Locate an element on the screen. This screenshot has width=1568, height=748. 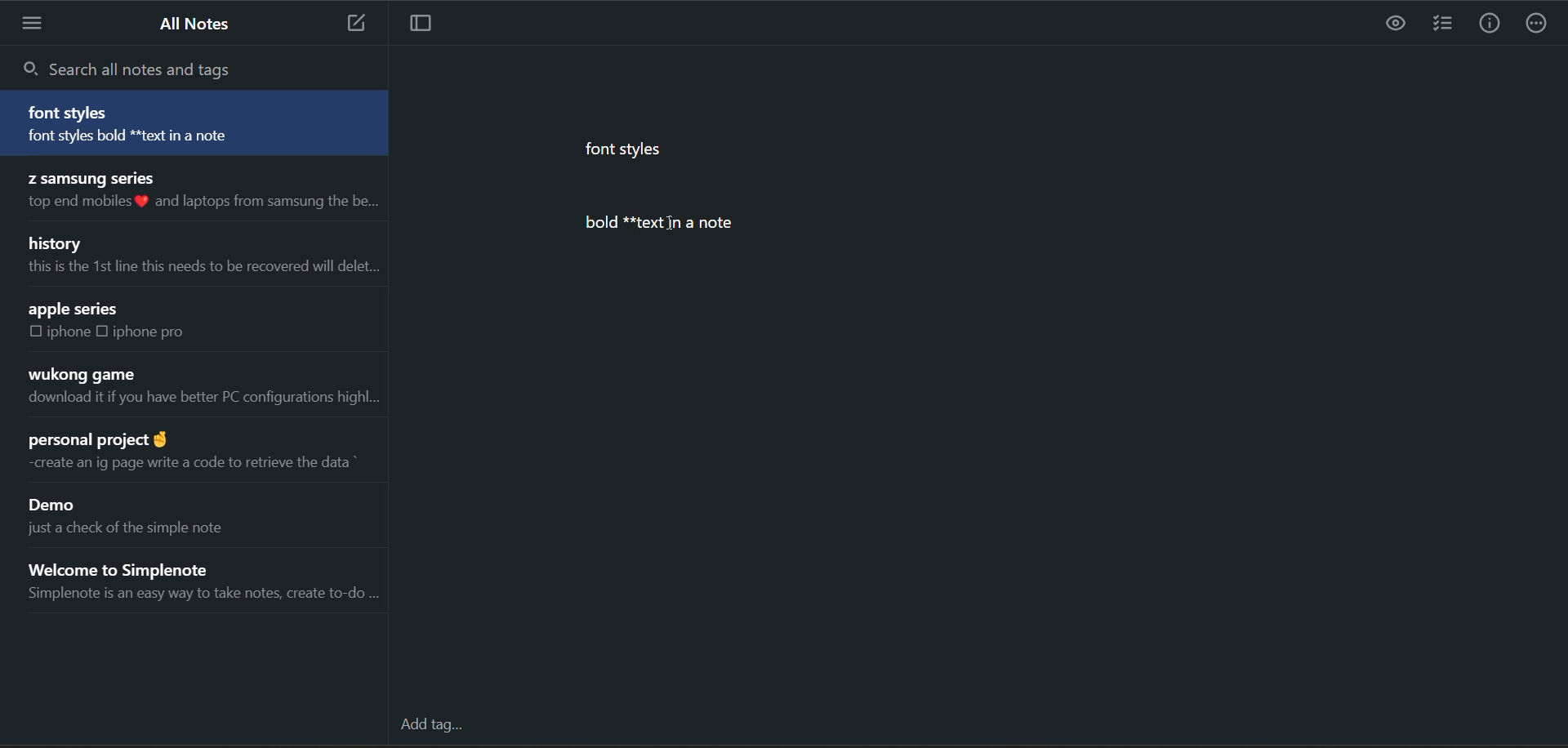
apple series is located at coordinates (75, 309).